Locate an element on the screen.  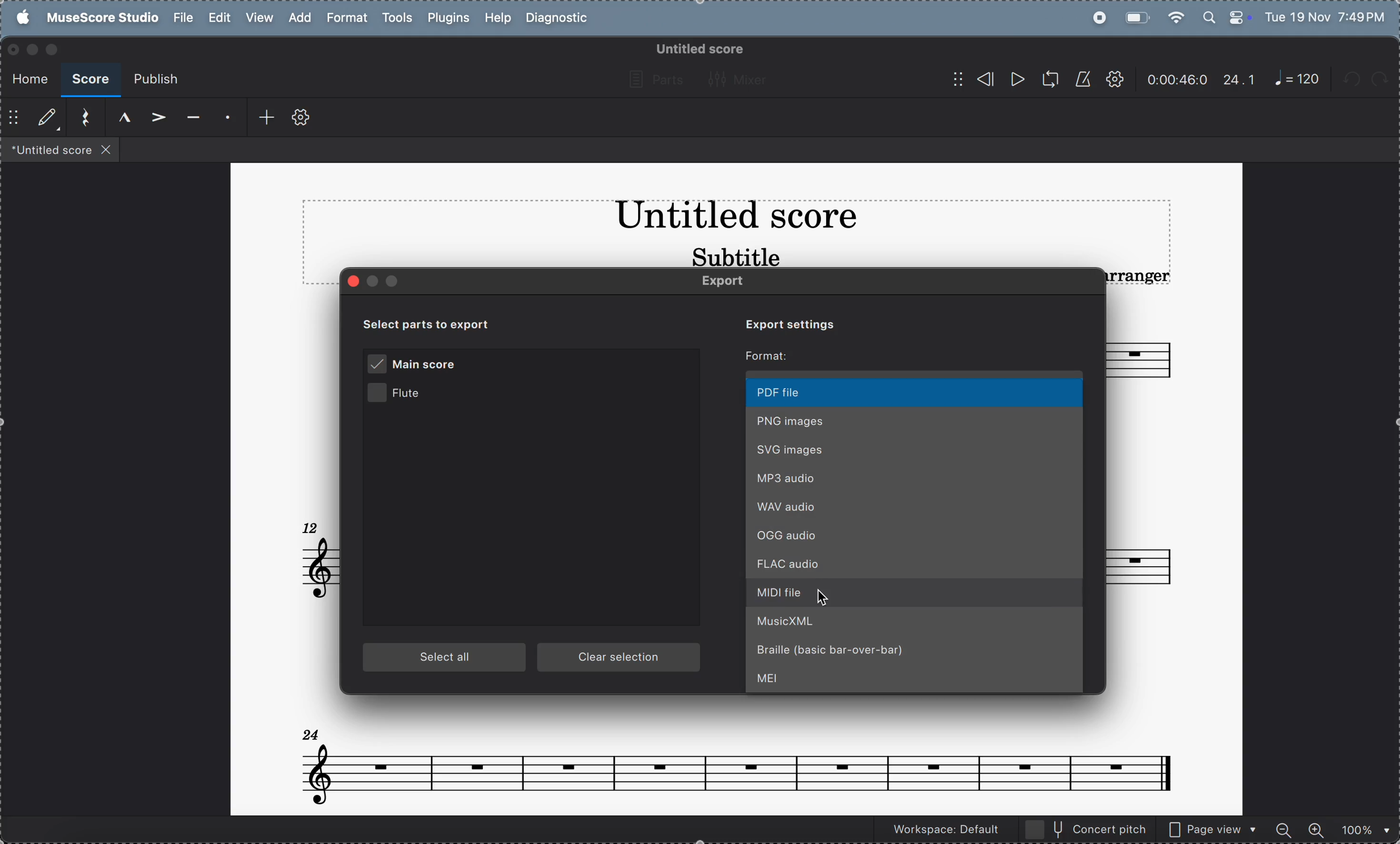
battery is located at coordinates (1135, 16).